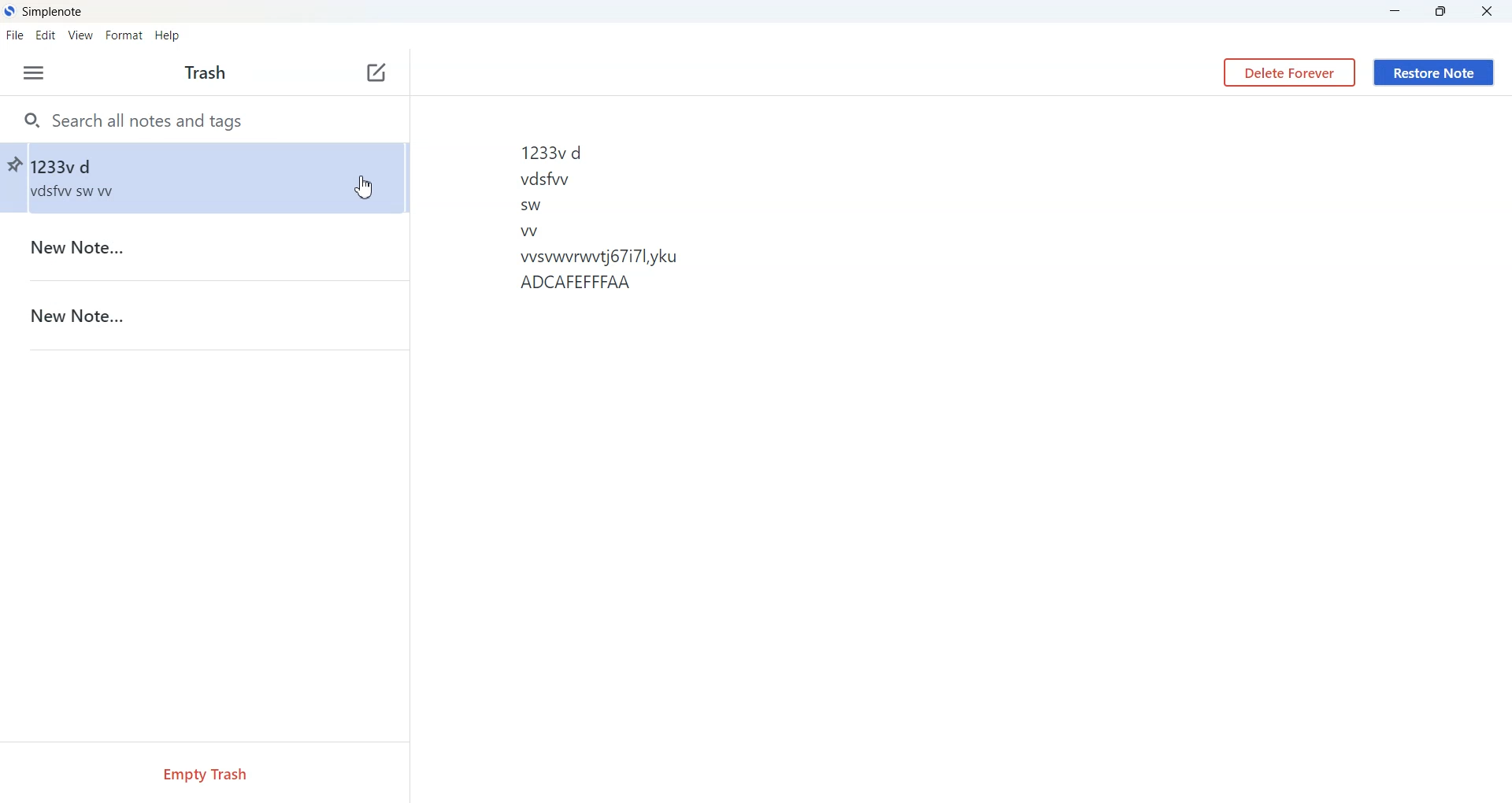 This screenshot has width=1512, height=803. Describe the element at coordinates (546, 179) in the screenshot. I see `vdsfww` at that location.